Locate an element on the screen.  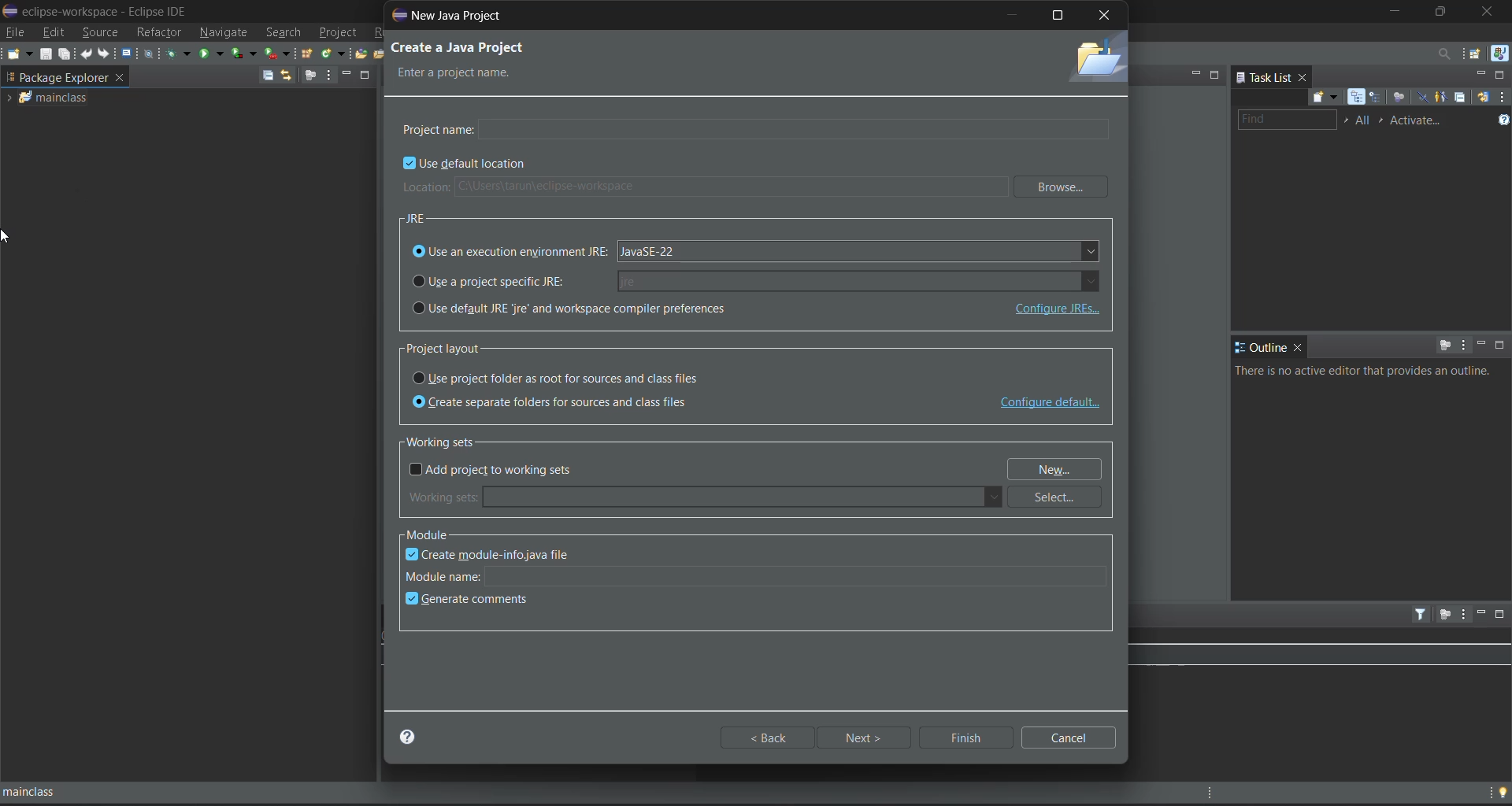
new java project is located at coordinates (458, 15).